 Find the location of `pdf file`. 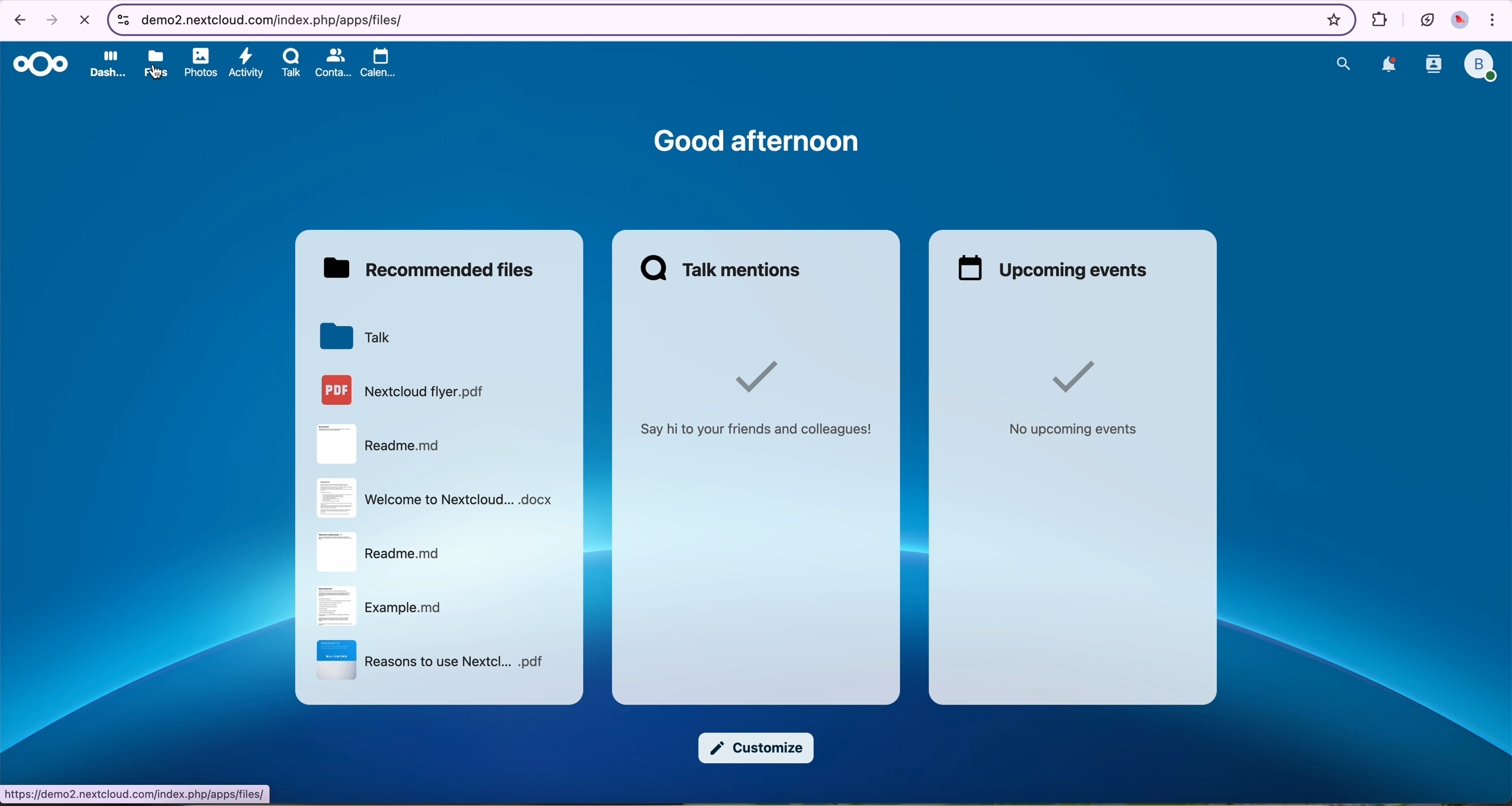

pdf file is located at coordinates (404, 388).